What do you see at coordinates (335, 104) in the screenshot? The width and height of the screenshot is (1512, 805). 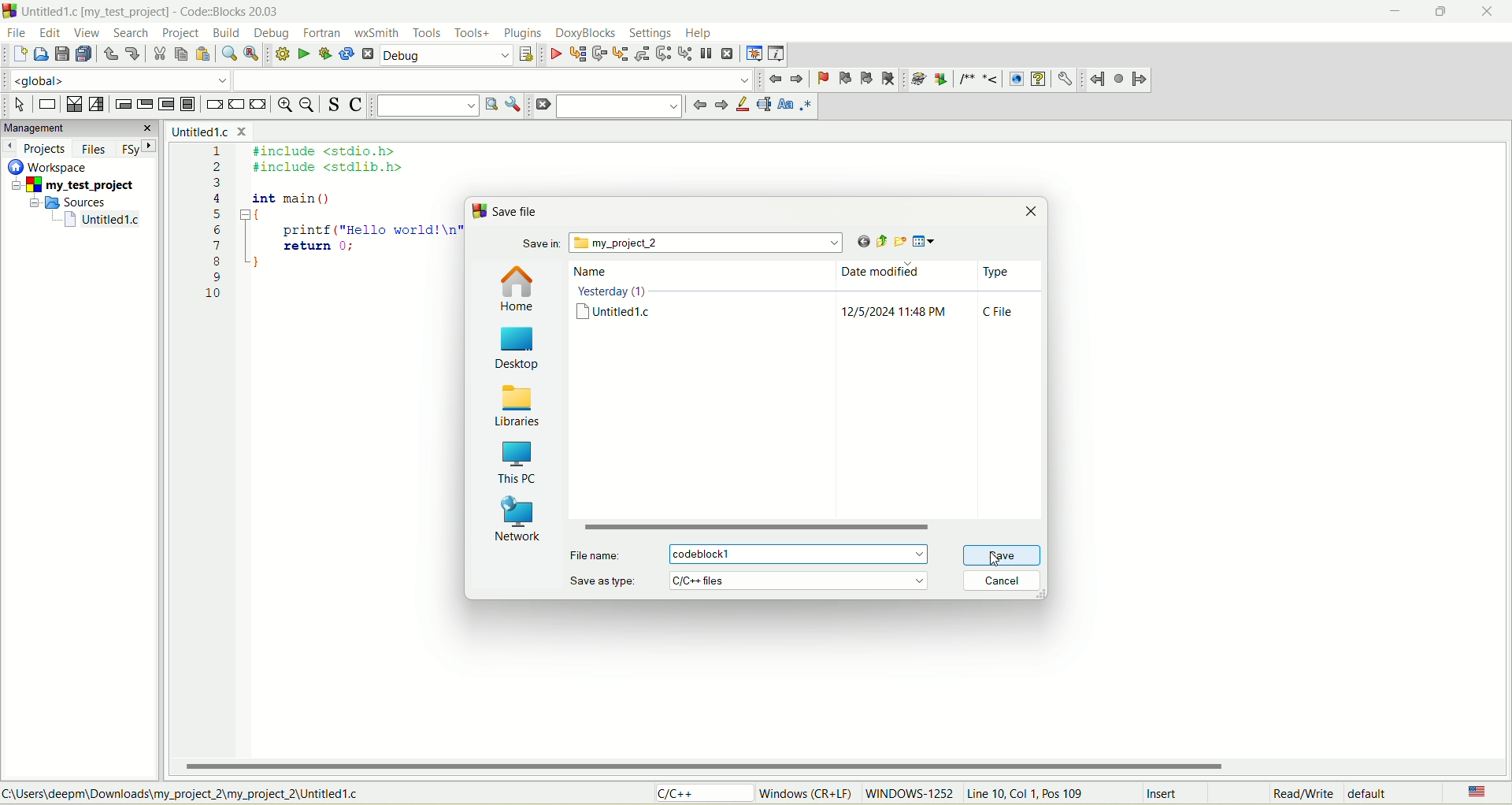 I see `toggle source` at bounding box center [335, 104].